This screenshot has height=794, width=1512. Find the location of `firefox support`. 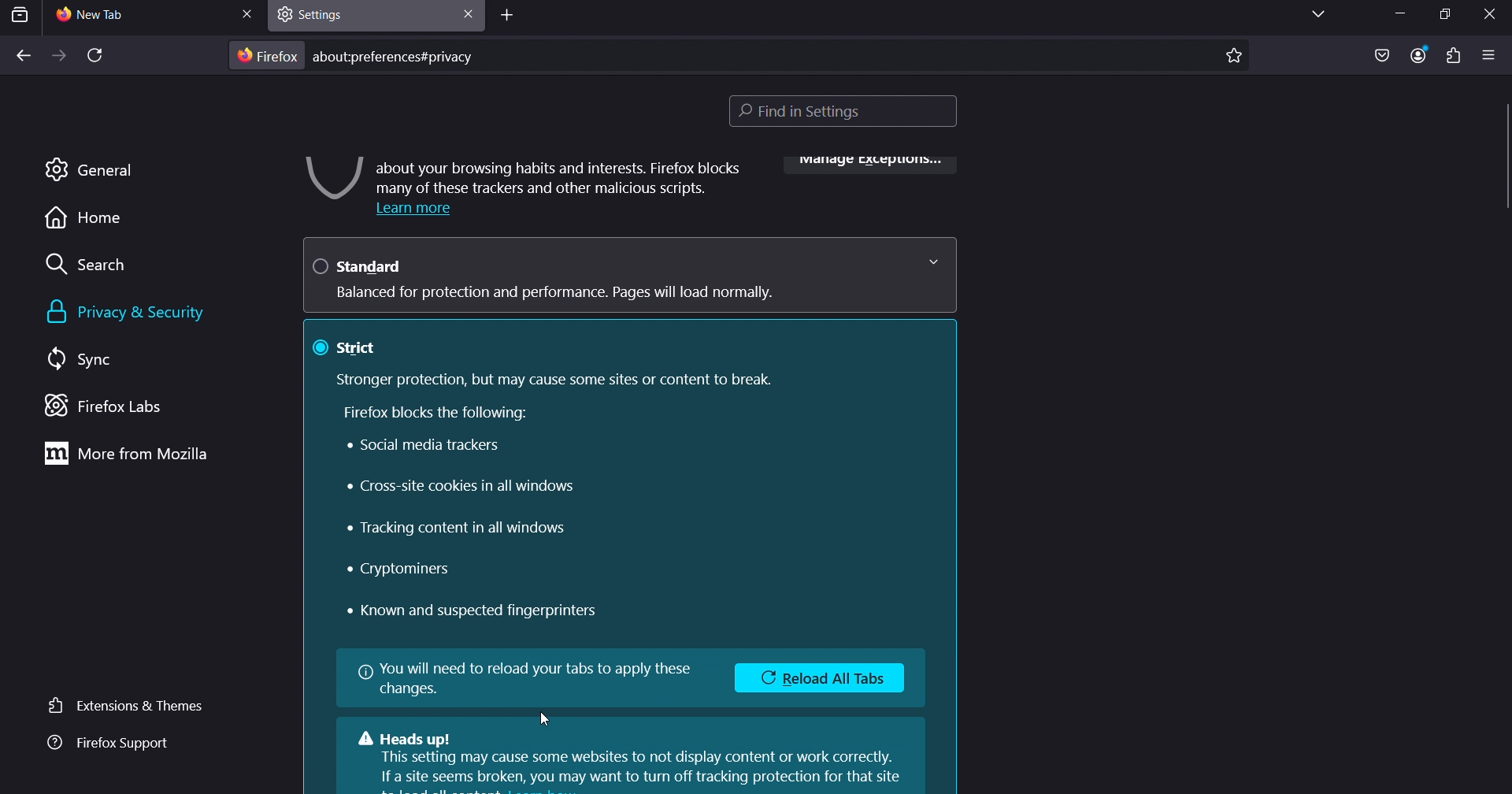

firefox support is located at coordinates (106, 744).